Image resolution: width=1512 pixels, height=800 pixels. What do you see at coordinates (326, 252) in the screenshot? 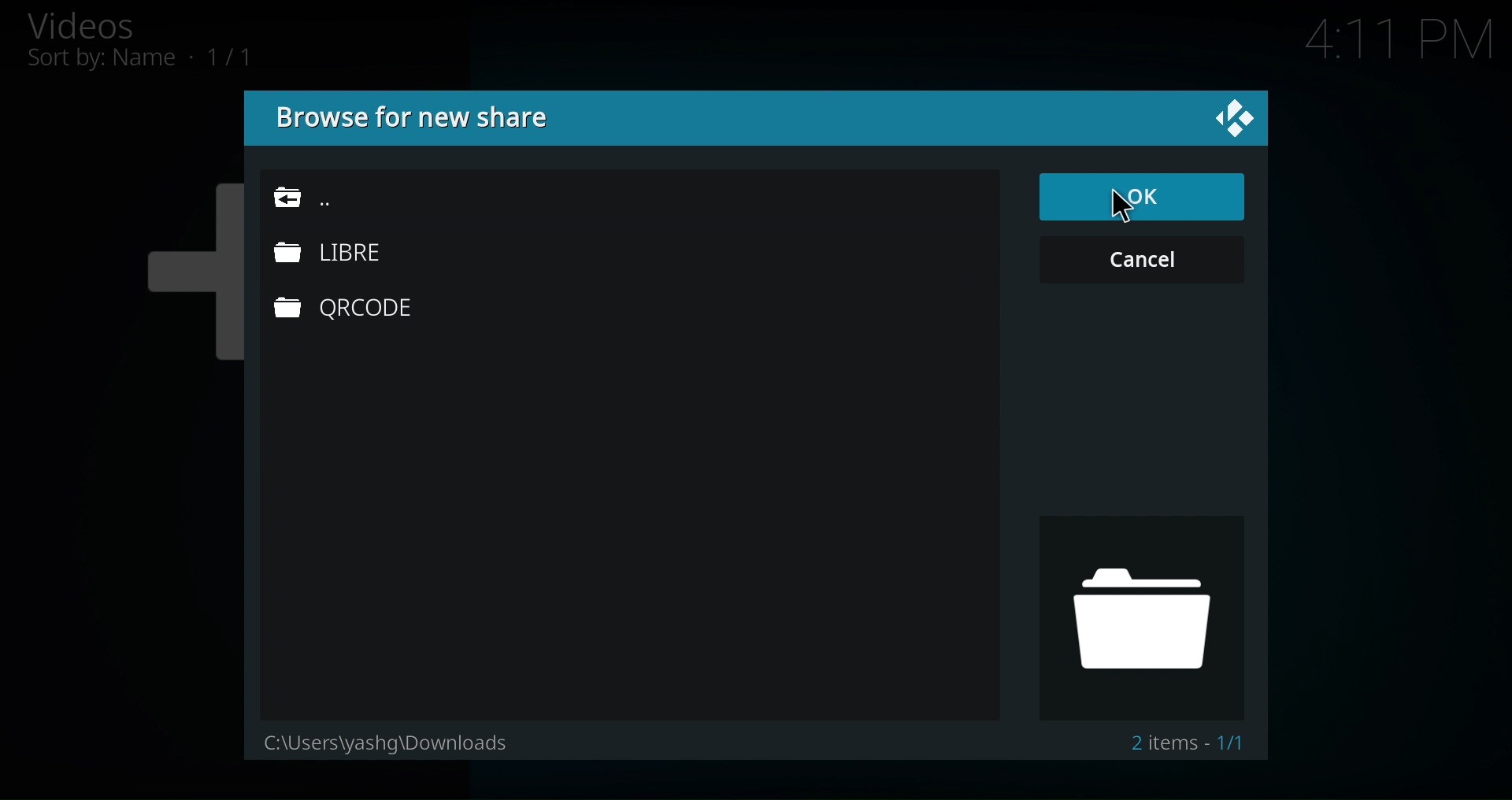
I see `LIBRE` at bounding box center [326, 252].